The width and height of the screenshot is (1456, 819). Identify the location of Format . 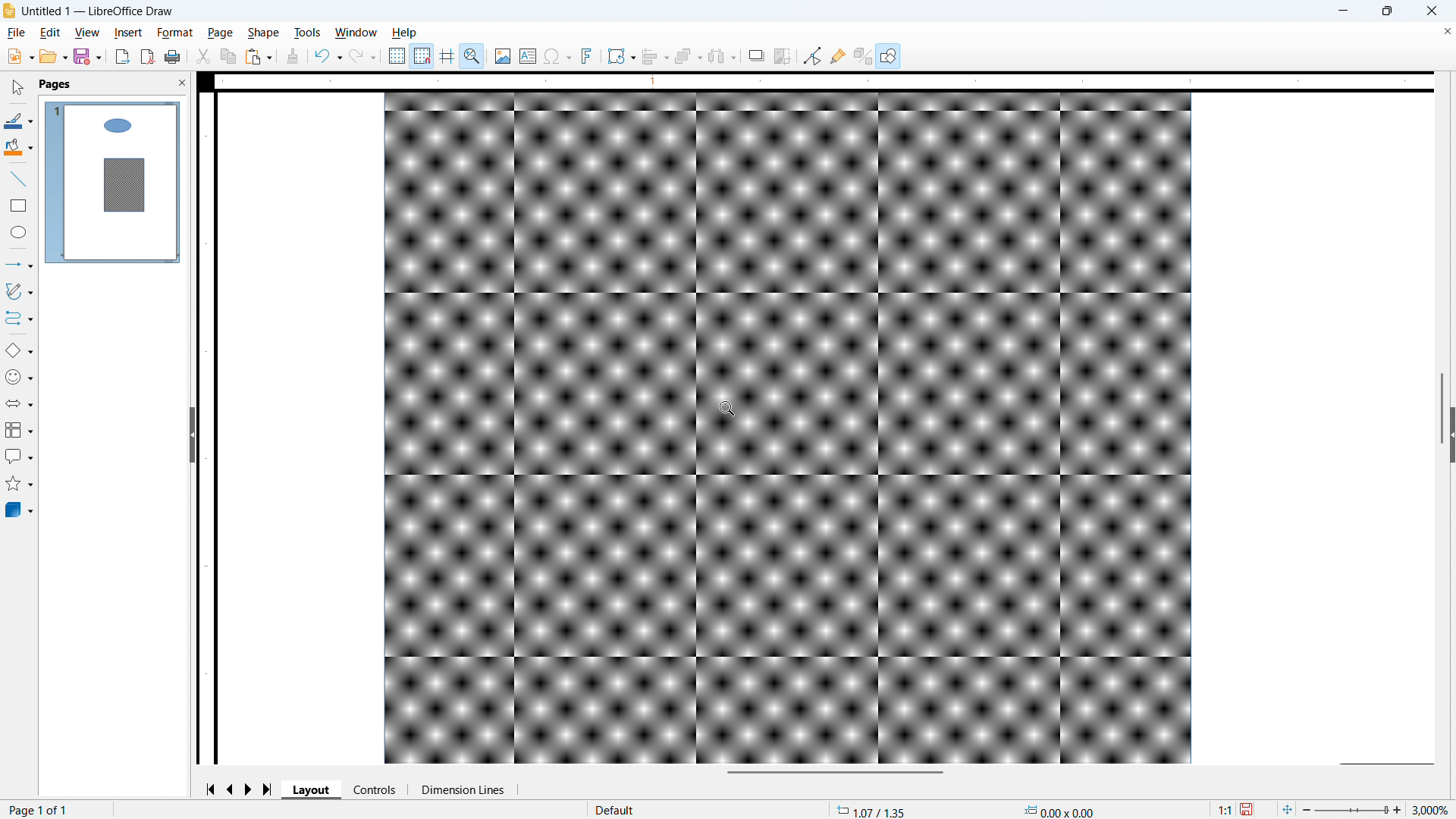
(176, 33).